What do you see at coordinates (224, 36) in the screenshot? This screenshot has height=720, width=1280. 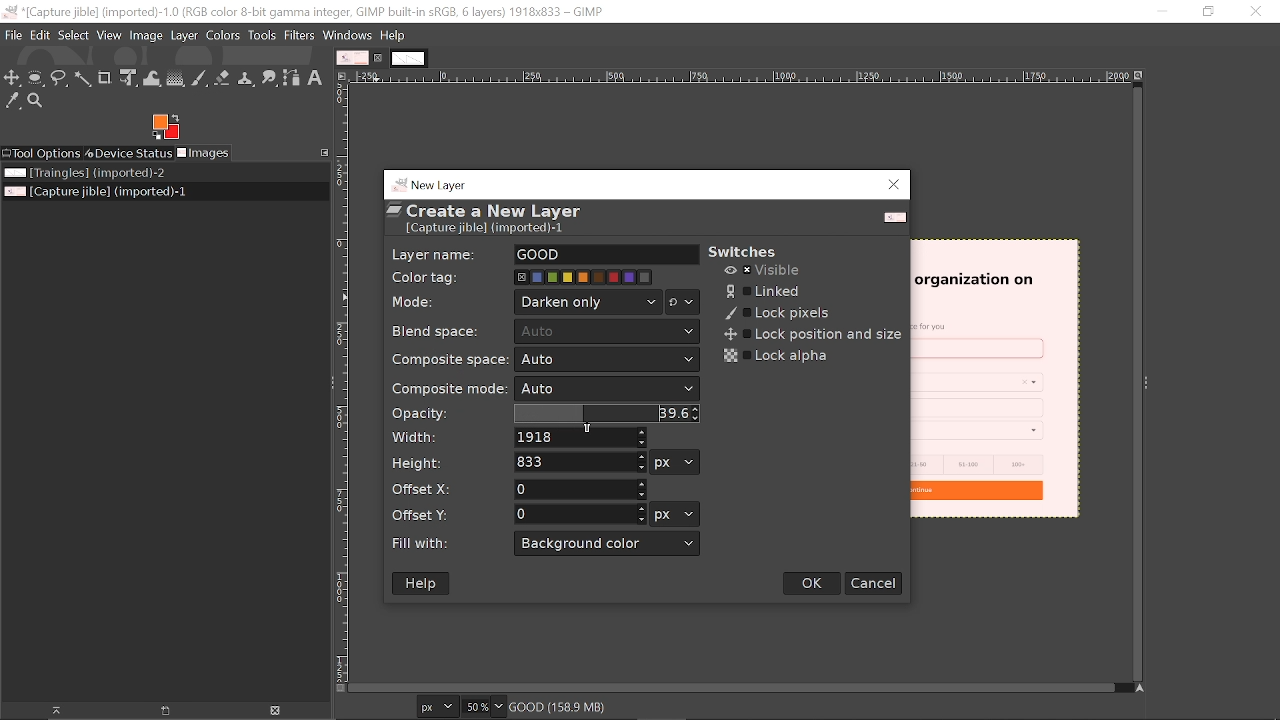 I see `Colors` at bounding box center [224, 36].